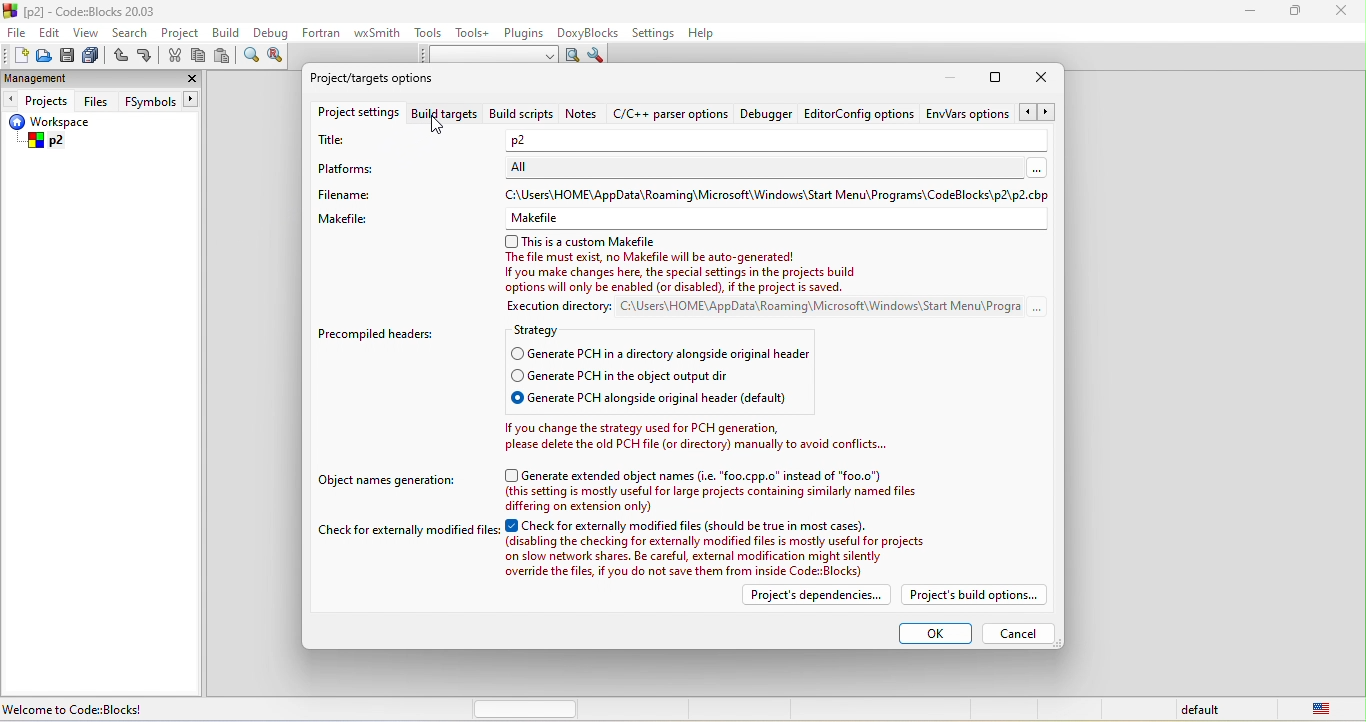  Describe the element at coordinates (710, 34) in the screenshot. I see `help` at that location.